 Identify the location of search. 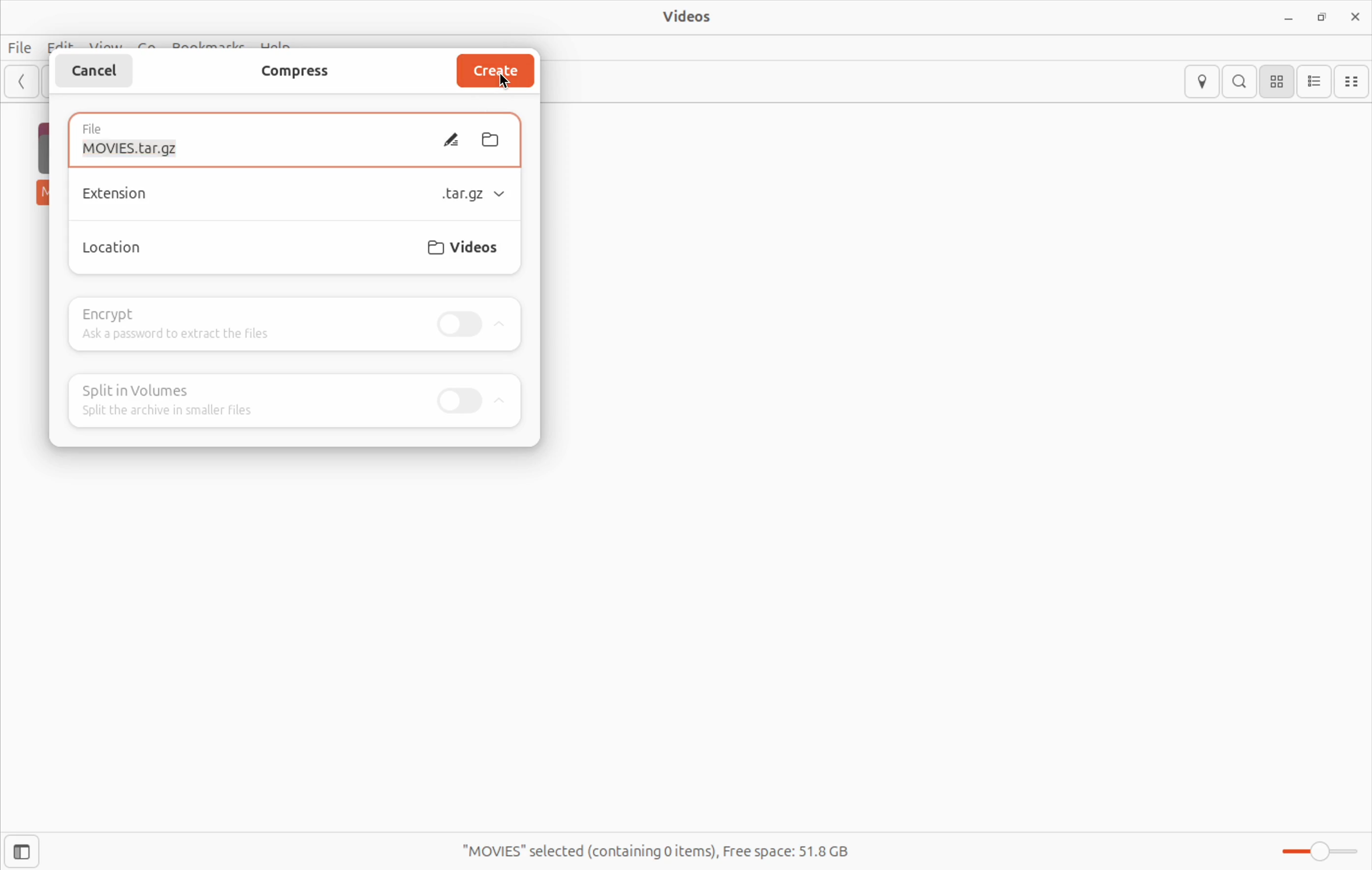
(1239, 80).